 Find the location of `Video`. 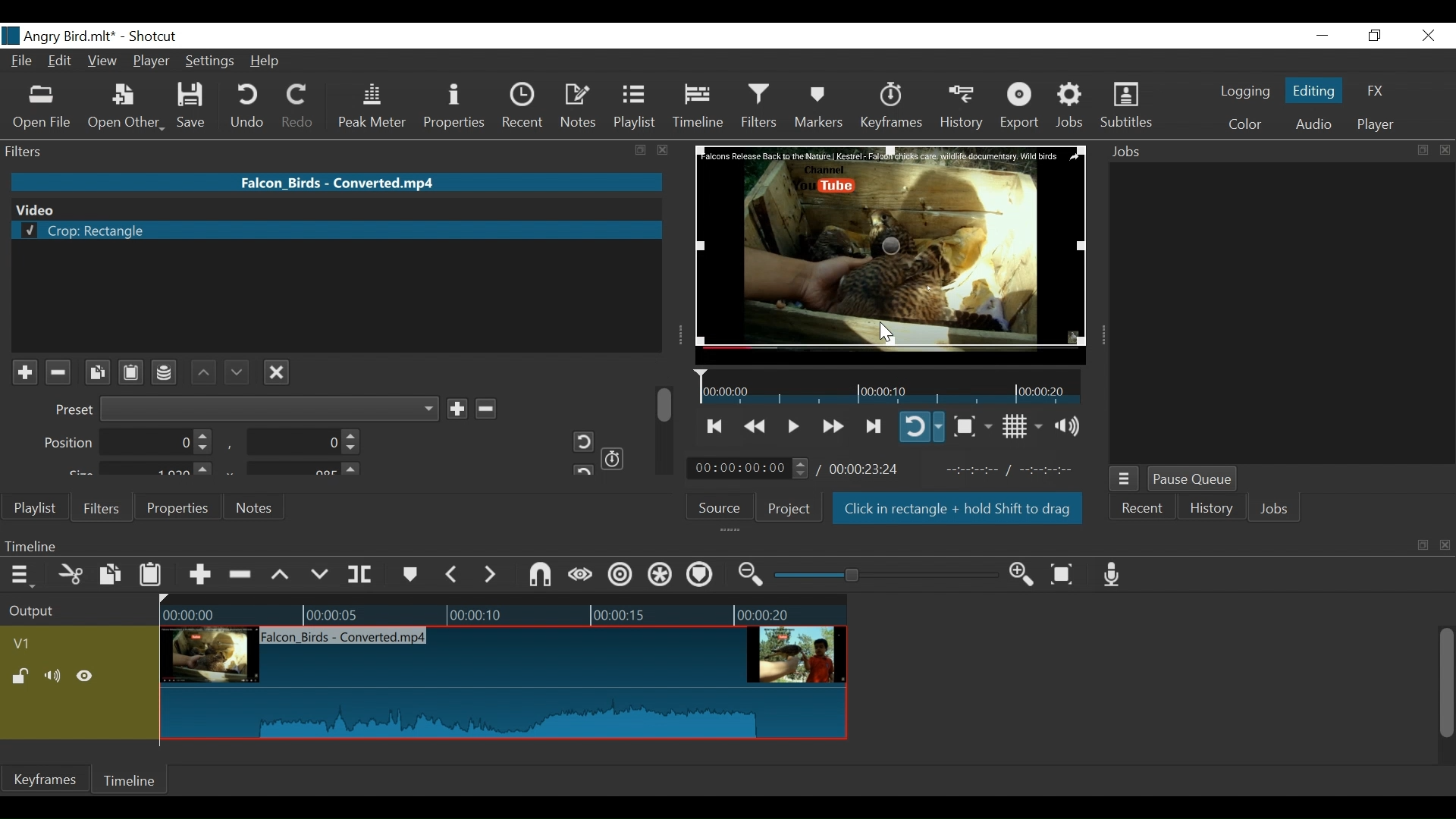

Video is located at coordinates (334, 209).